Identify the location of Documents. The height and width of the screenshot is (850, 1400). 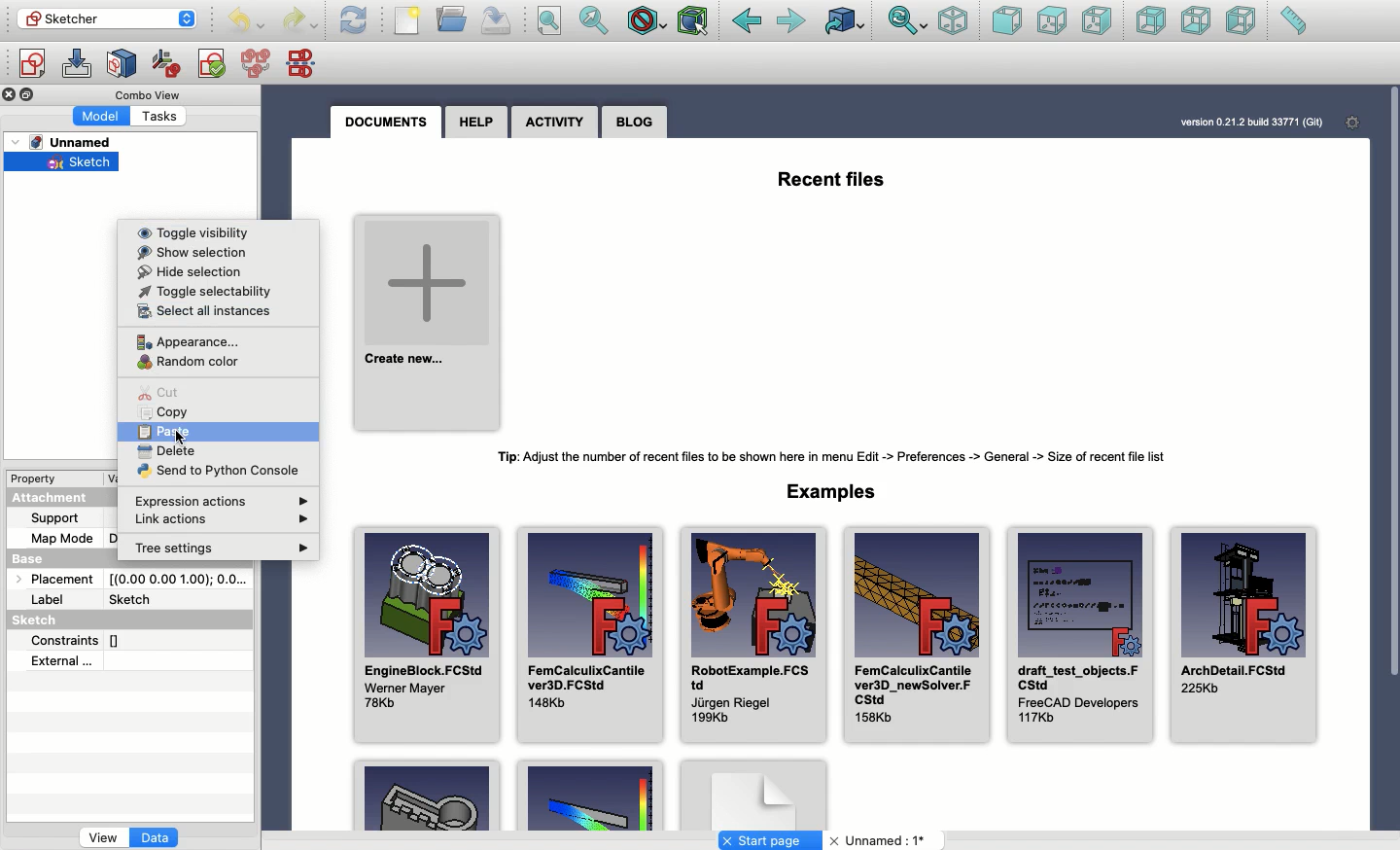
(392, 123).